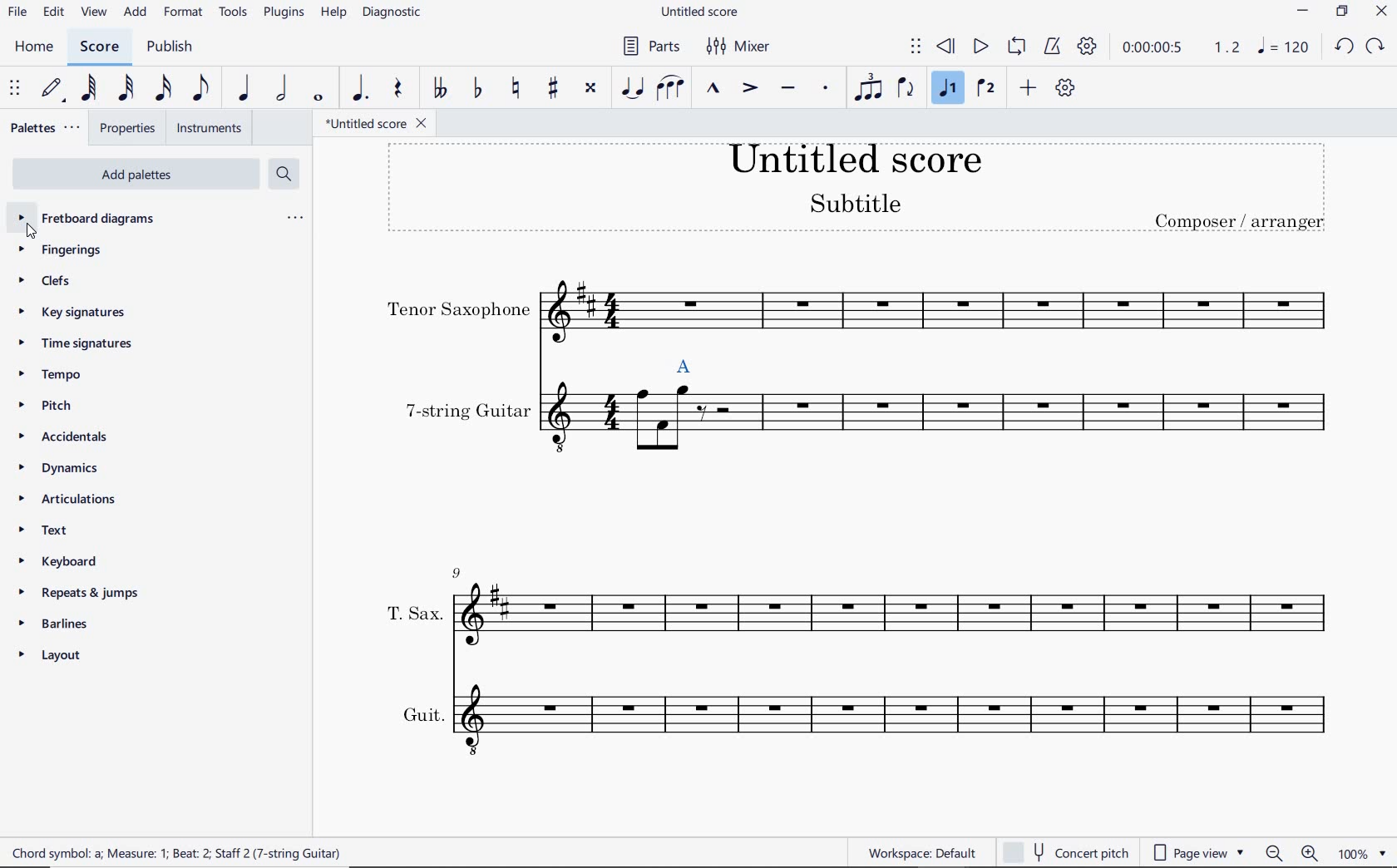 The height and width of the screenshot is (868, 1397). Describe the element at coordinates (234, 13) in the screenshot. I see `TOOLS` at that location.